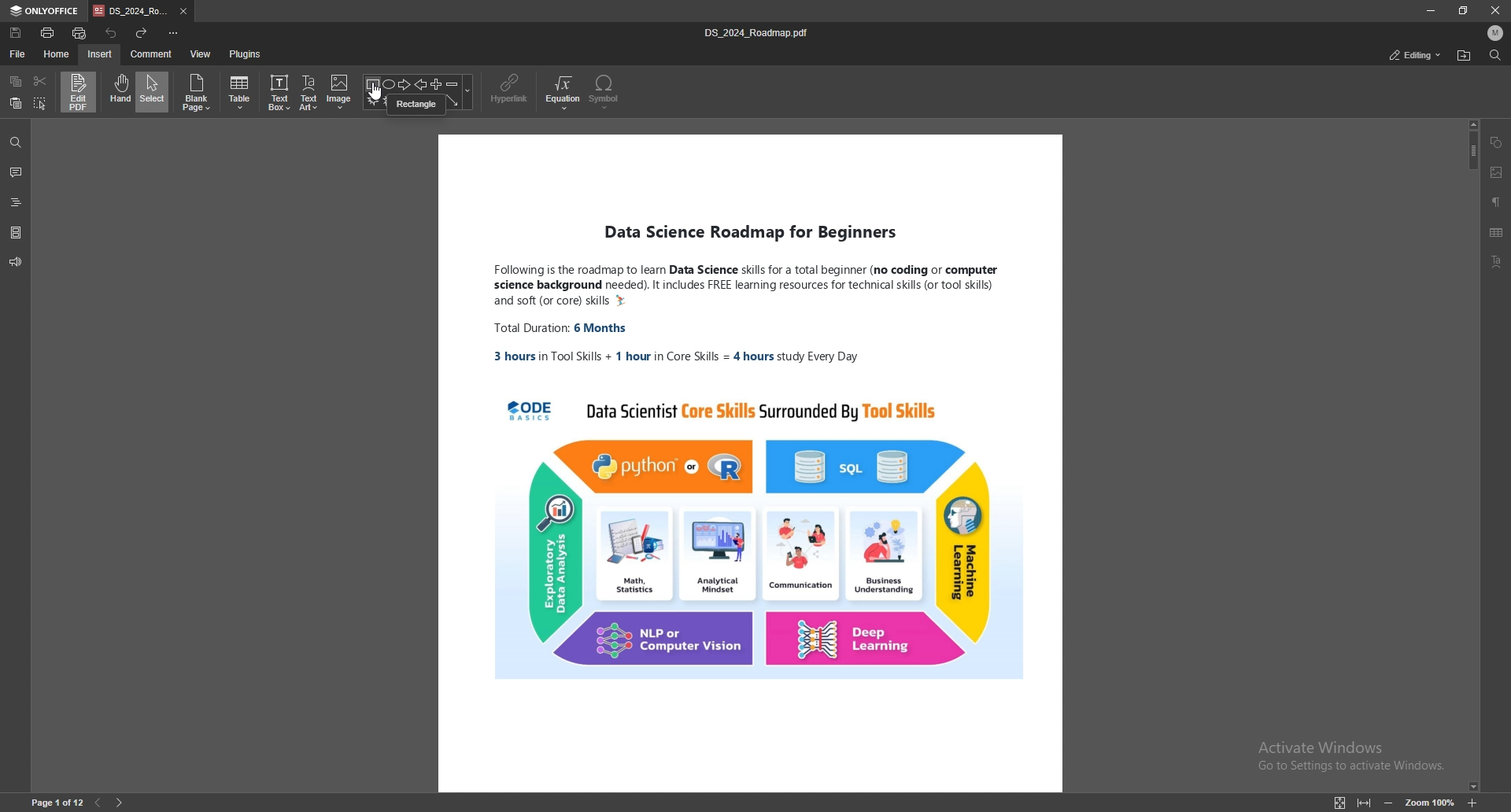 This screenshot has height=812, width=1511. Describe the element at coordinates (120, 803) in the screenshot. I see `next page` at that location.